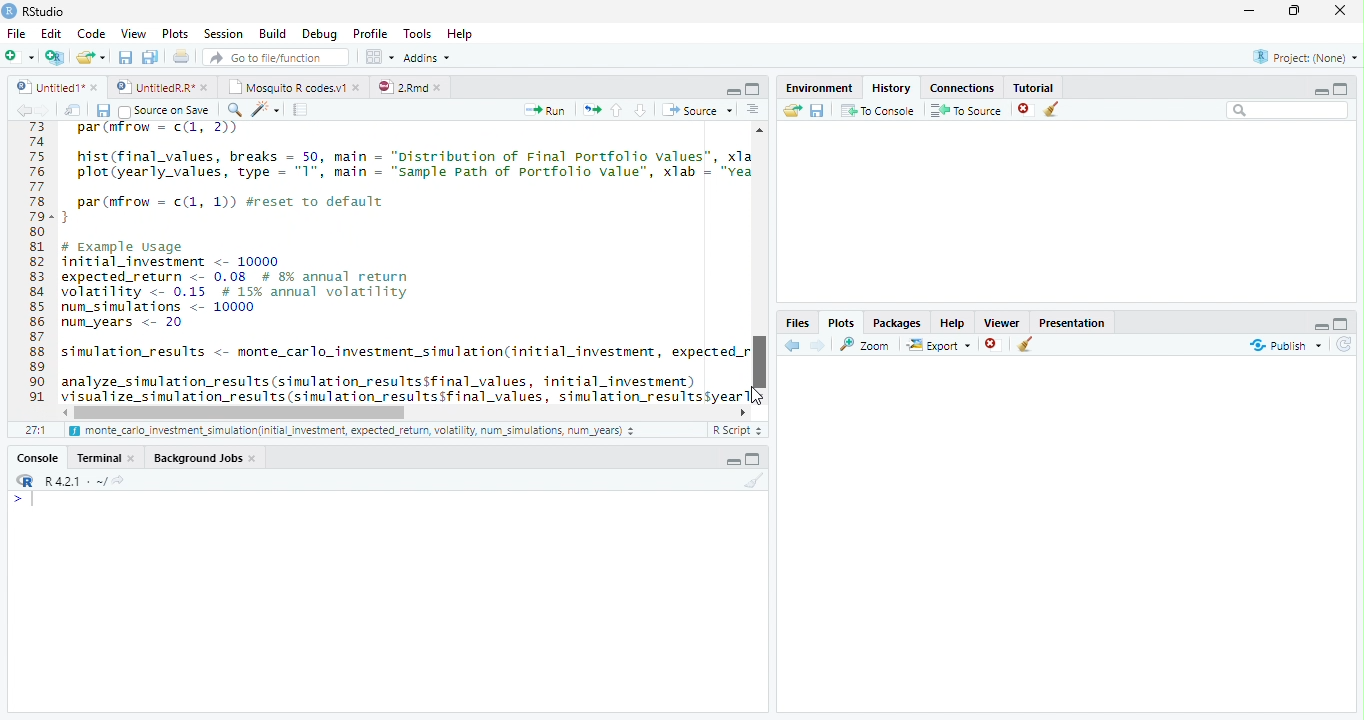 The image size is (1364, 720). I want to click on Save, so click(103, 110).